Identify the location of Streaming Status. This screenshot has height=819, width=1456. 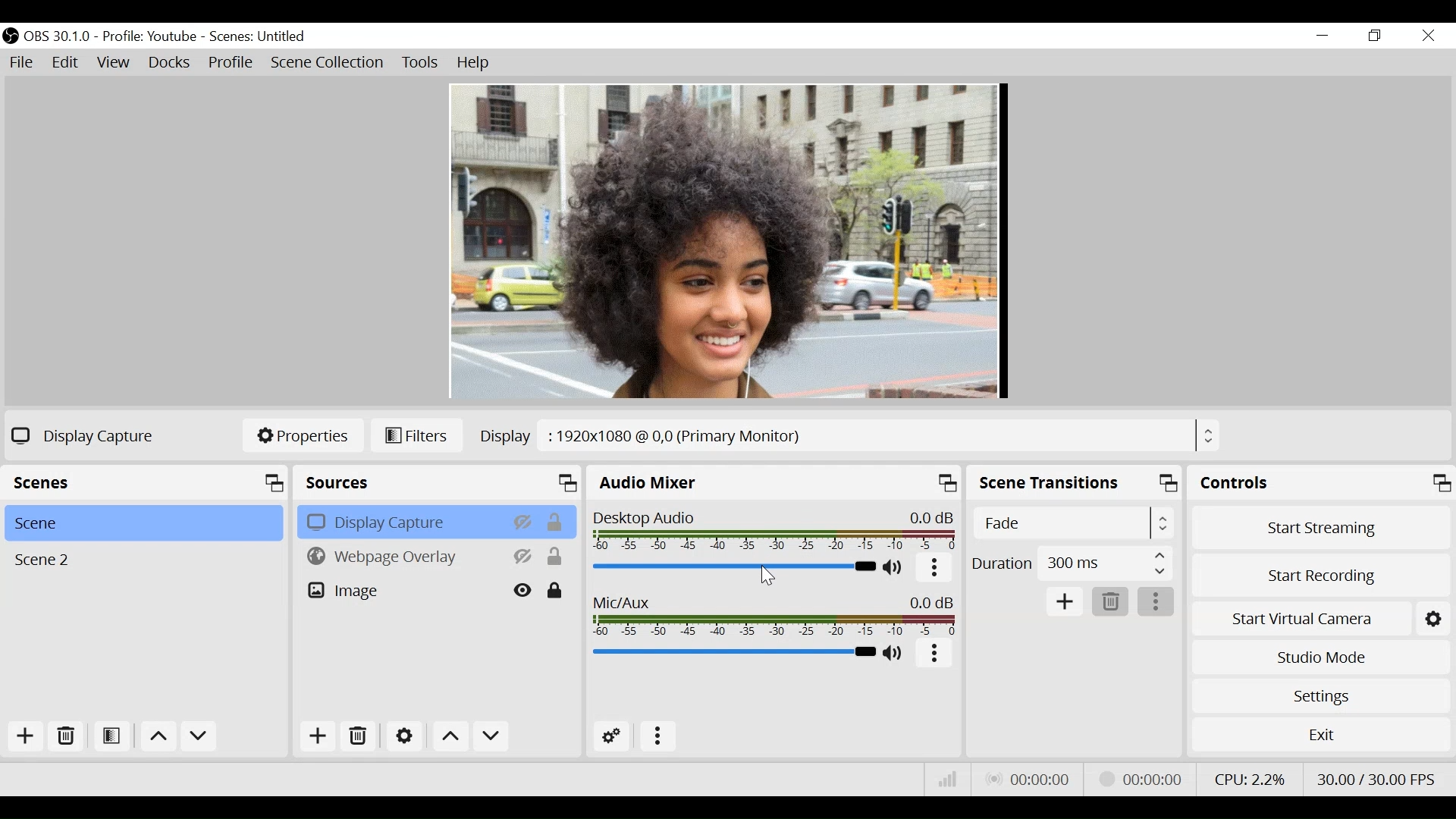
(1141, 779).